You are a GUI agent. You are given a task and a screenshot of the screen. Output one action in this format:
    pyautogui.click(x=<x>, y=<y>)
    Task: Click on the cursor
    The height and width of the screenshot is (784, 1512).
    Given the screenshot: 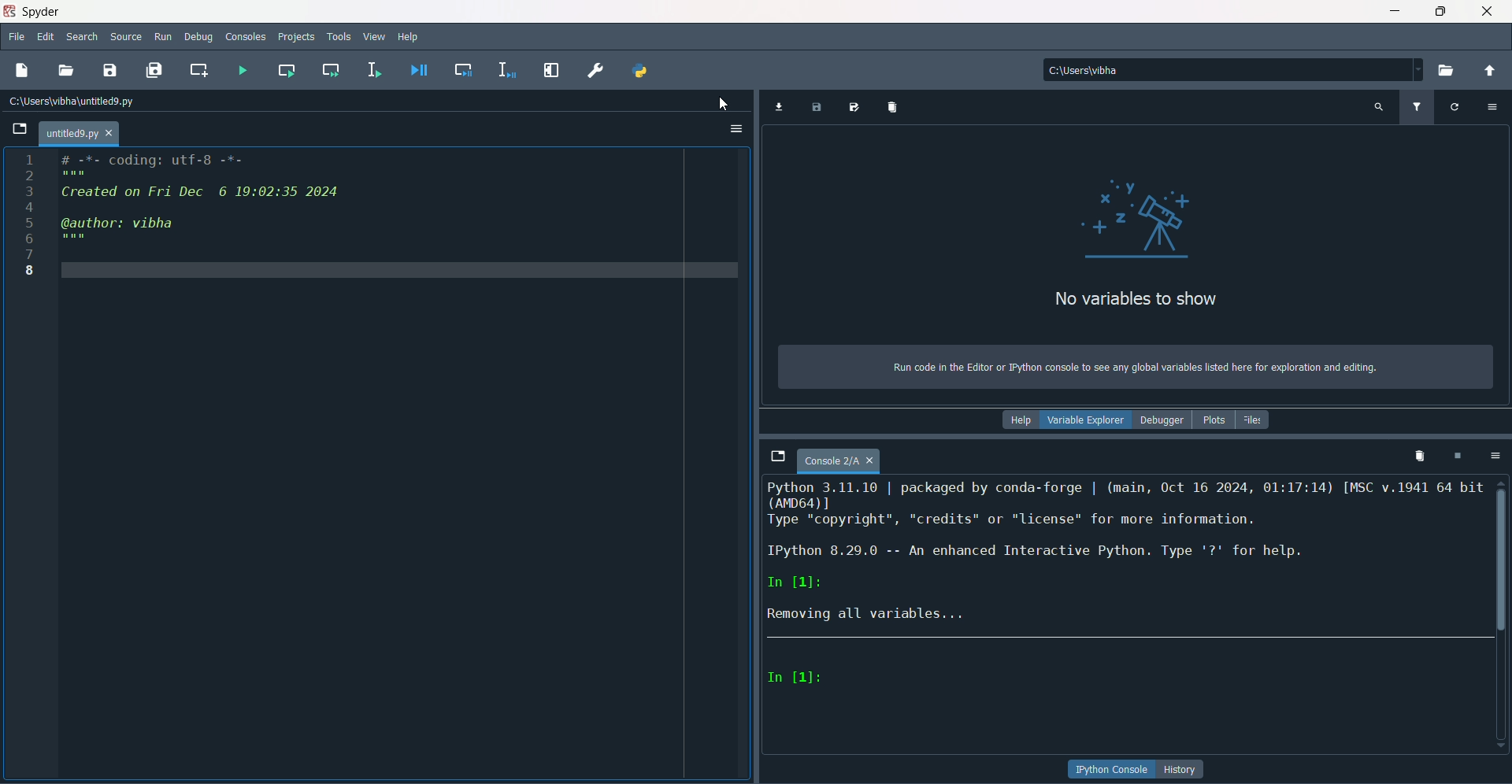 What is the action you would take?
    pyautogui.click(x=717, y=100)
    